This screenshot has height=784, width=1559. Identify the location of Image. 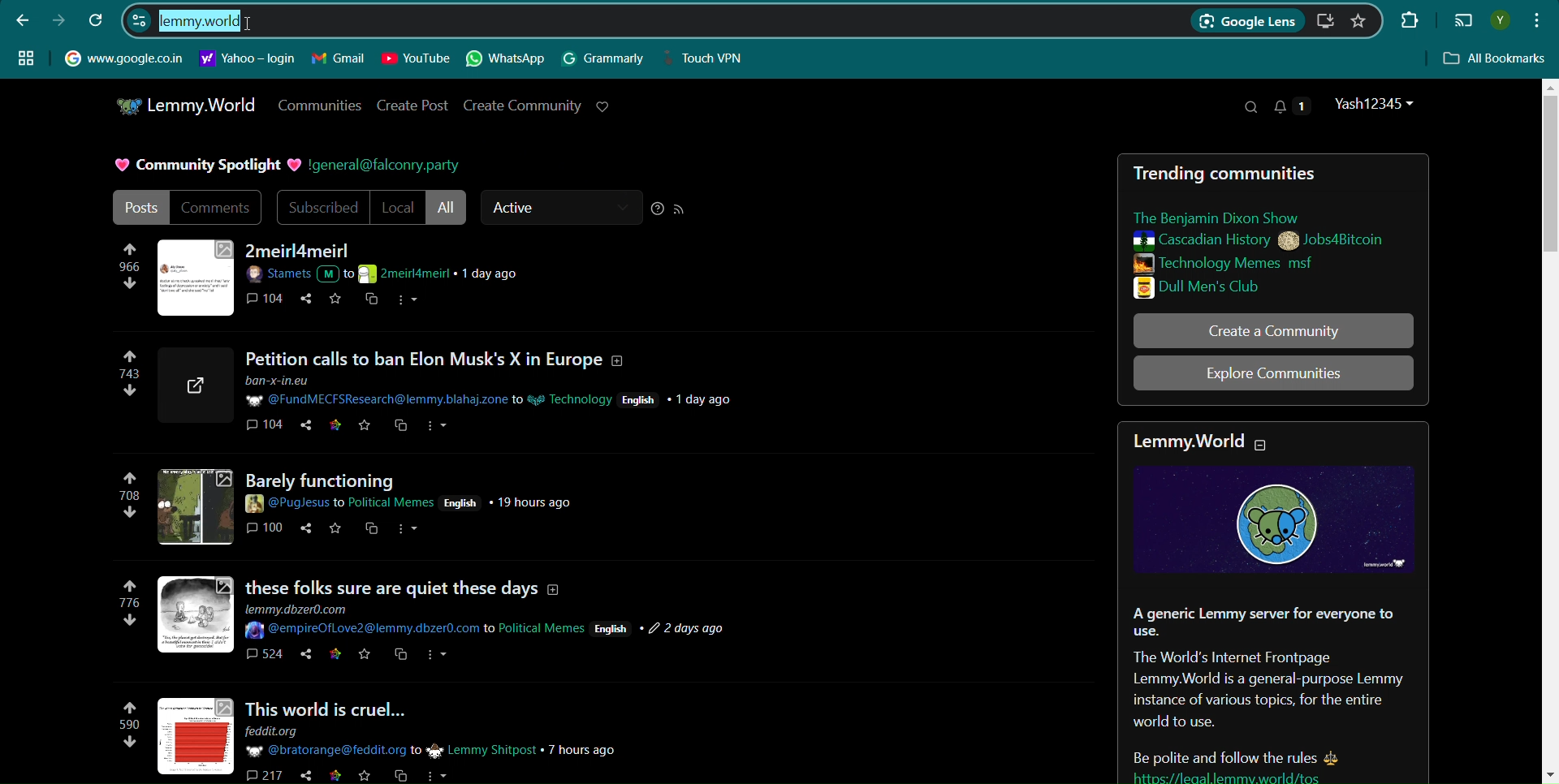
(196, 276).